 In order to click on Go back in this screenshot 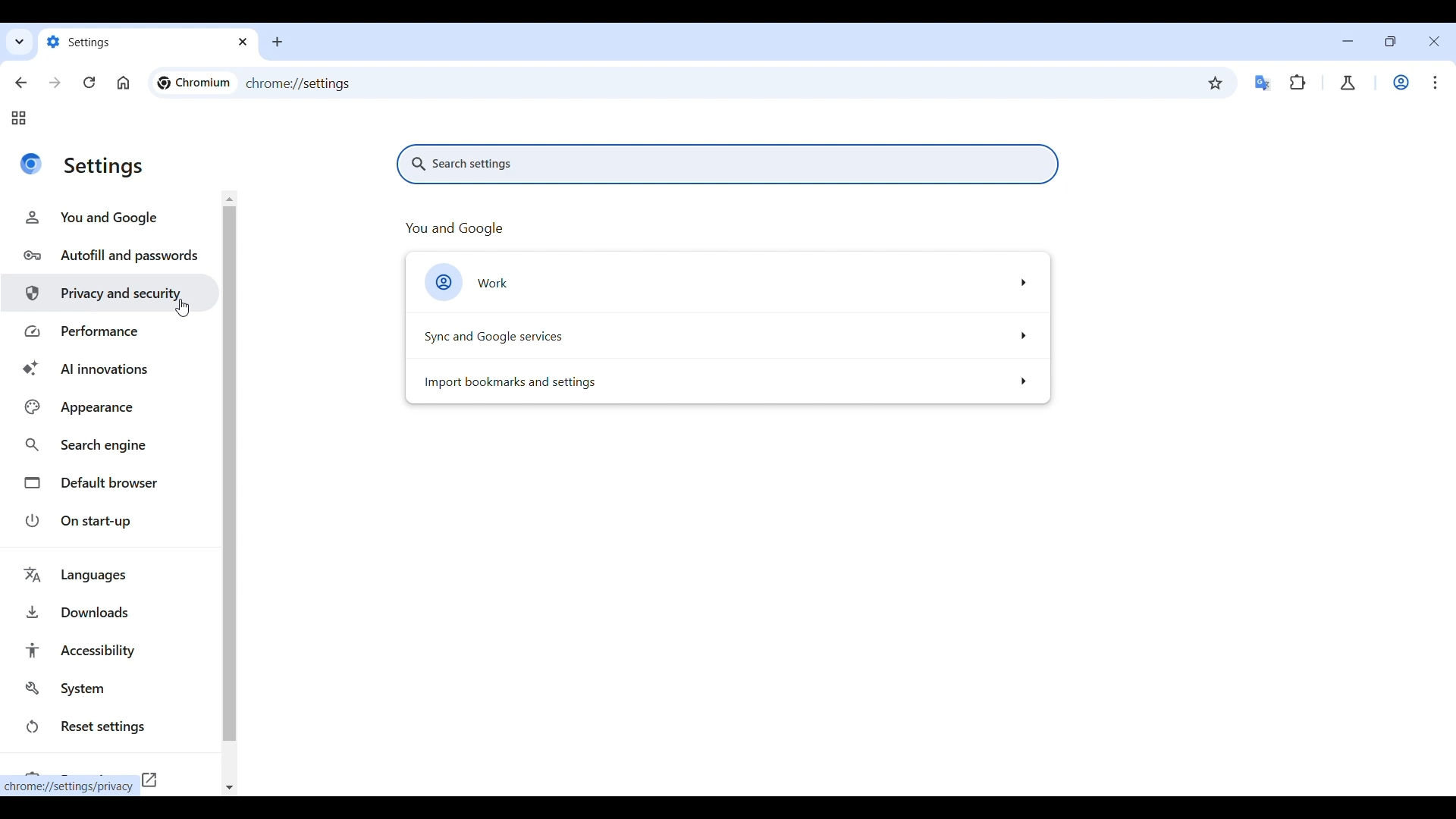, I will do `click(20, 83)`.